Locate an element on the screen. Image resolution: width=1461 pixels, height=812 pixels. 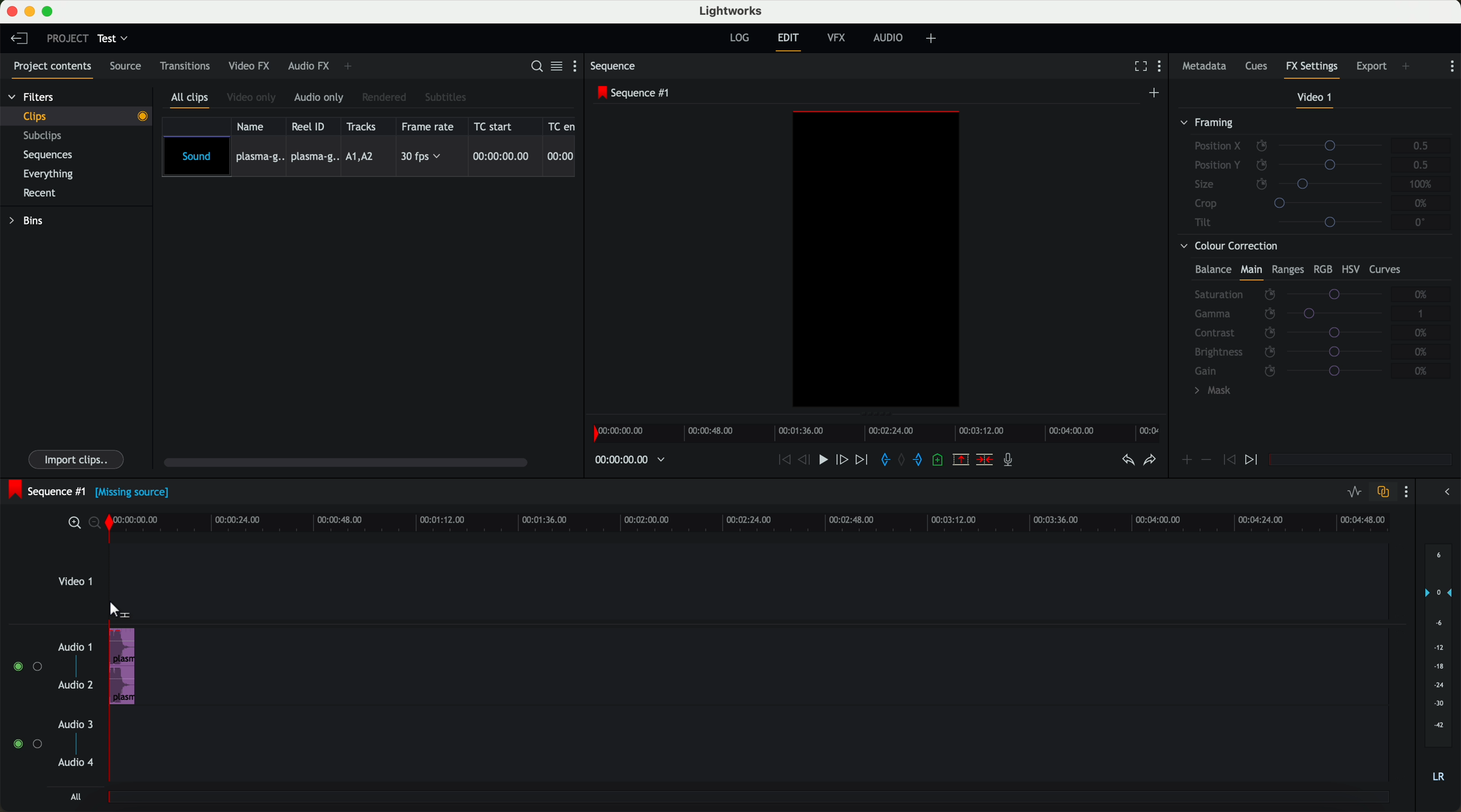
record a voice over is located at coordinates (1011, 462).